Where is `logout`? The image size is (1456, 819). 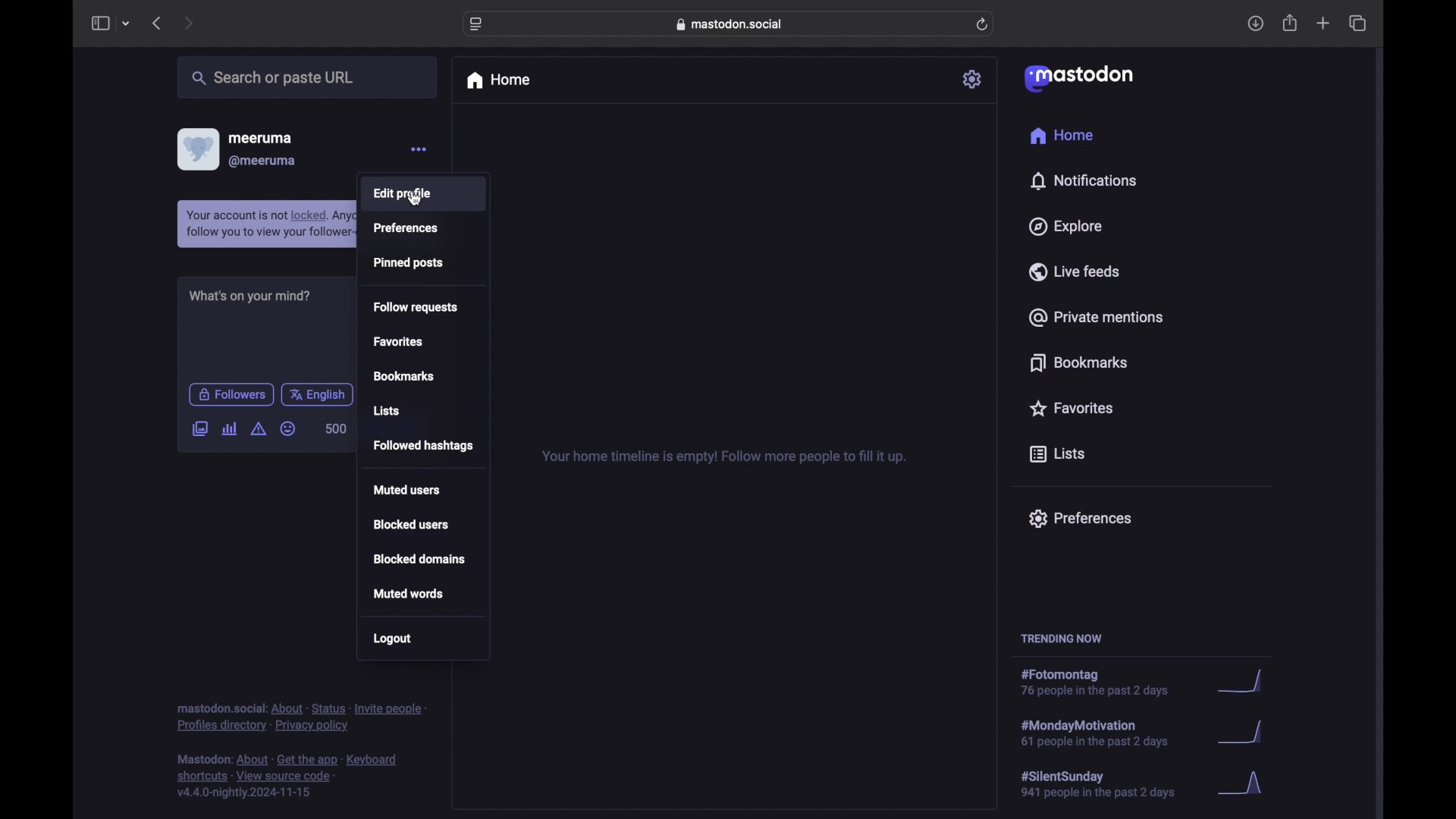 logout is located at coordinates (391, 639).